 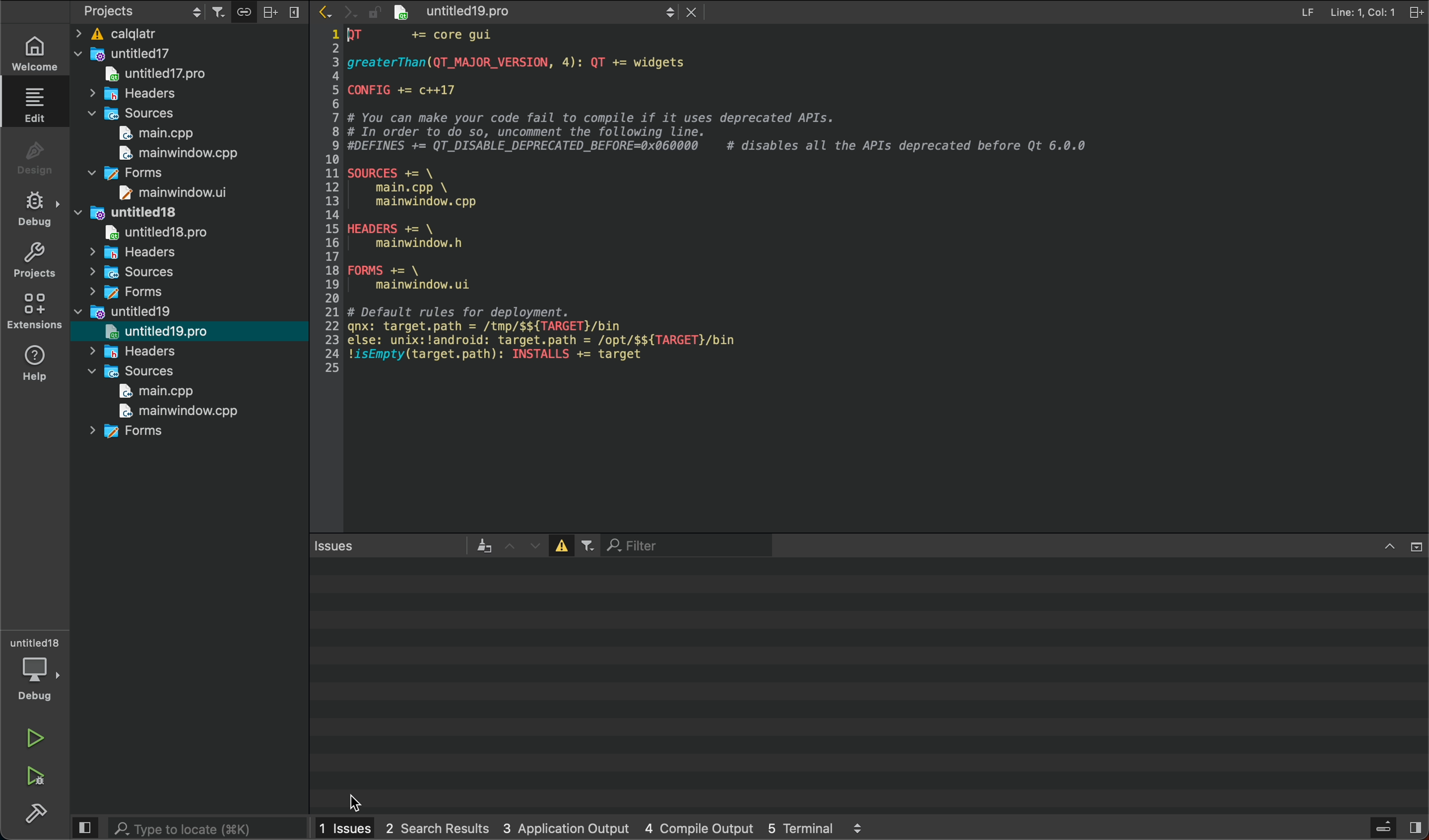 What do you see at coordinates (40, 362) in the screenshot?
I see `help` at bounding box center [40, 362].